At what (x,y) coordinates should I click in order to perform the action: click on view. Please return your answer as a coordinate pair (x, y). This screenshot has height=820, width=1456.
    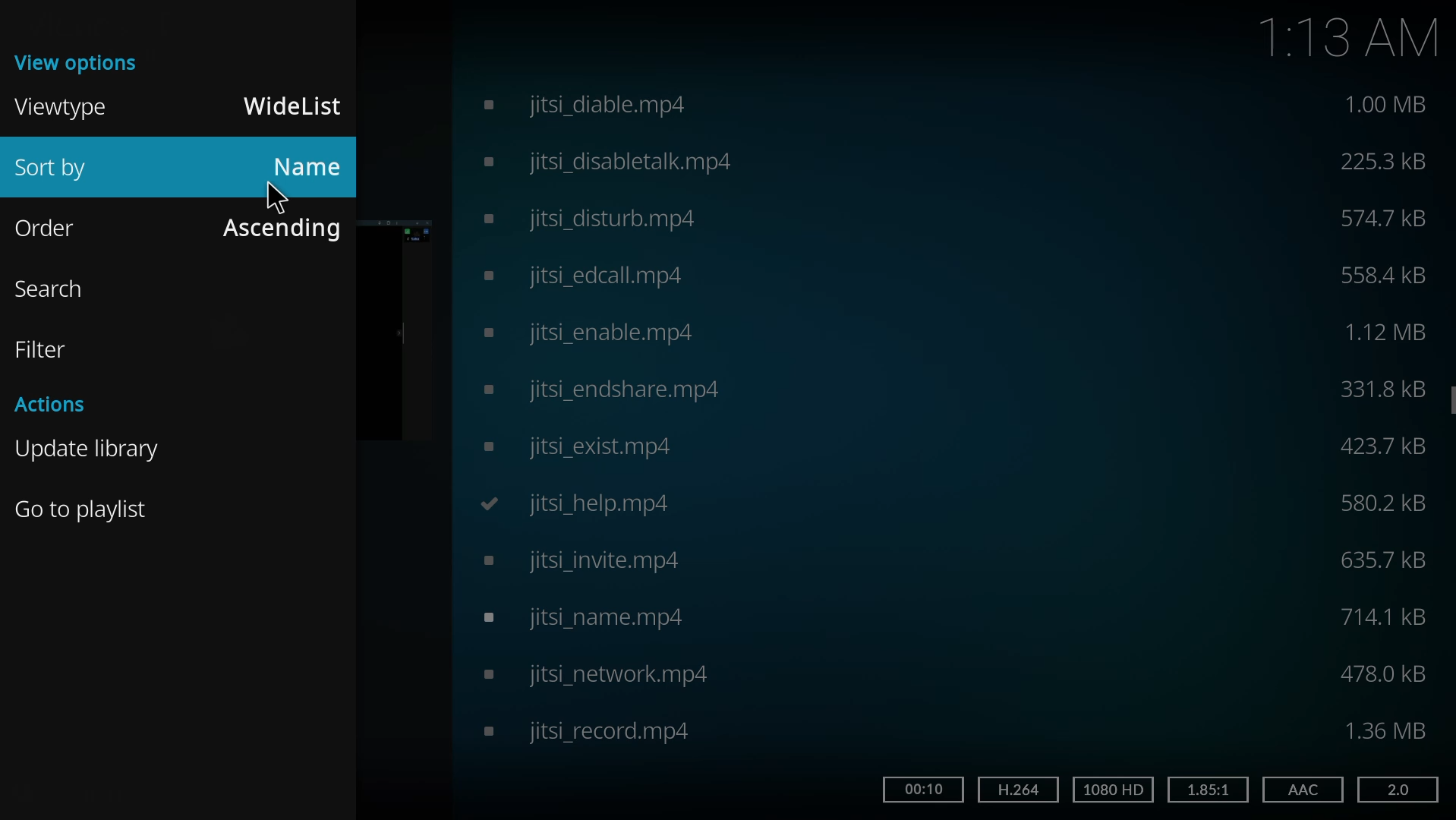
    Looking at the image, I should click on (80, 62).